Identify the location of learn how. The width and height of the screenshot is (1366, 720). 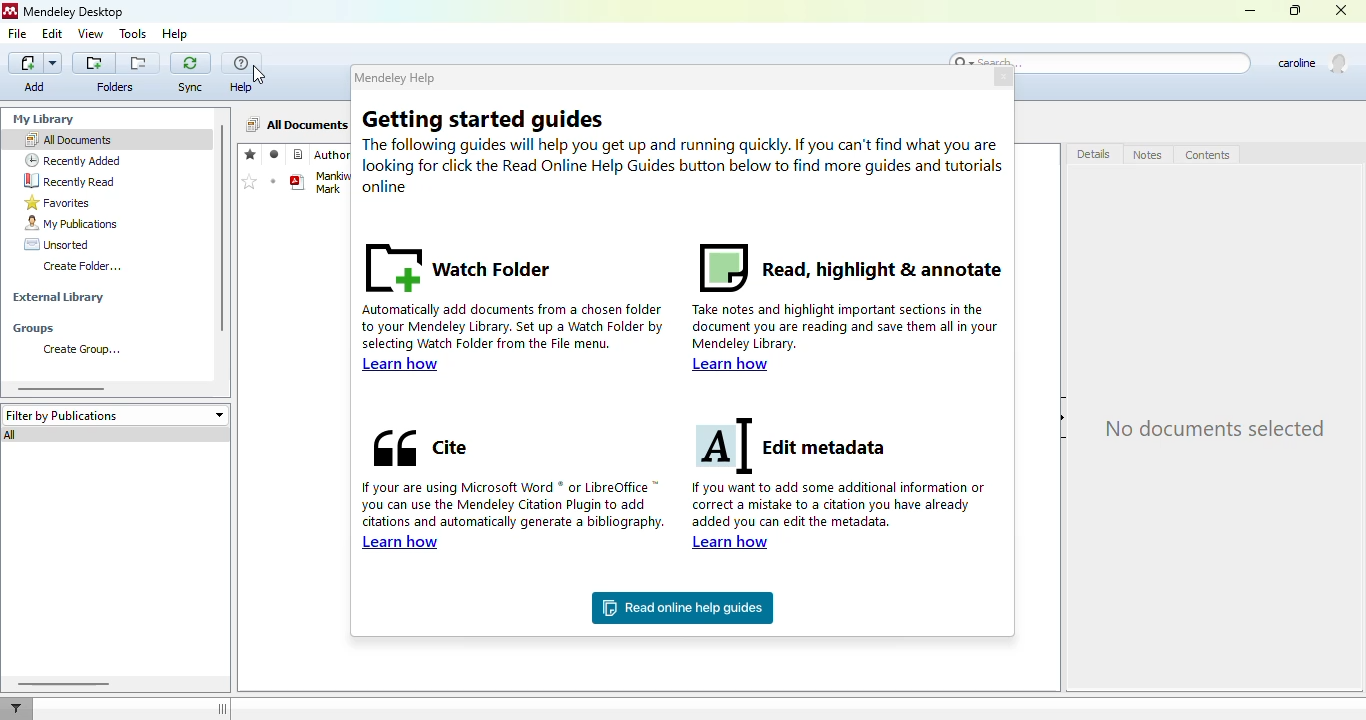
(730, 365).